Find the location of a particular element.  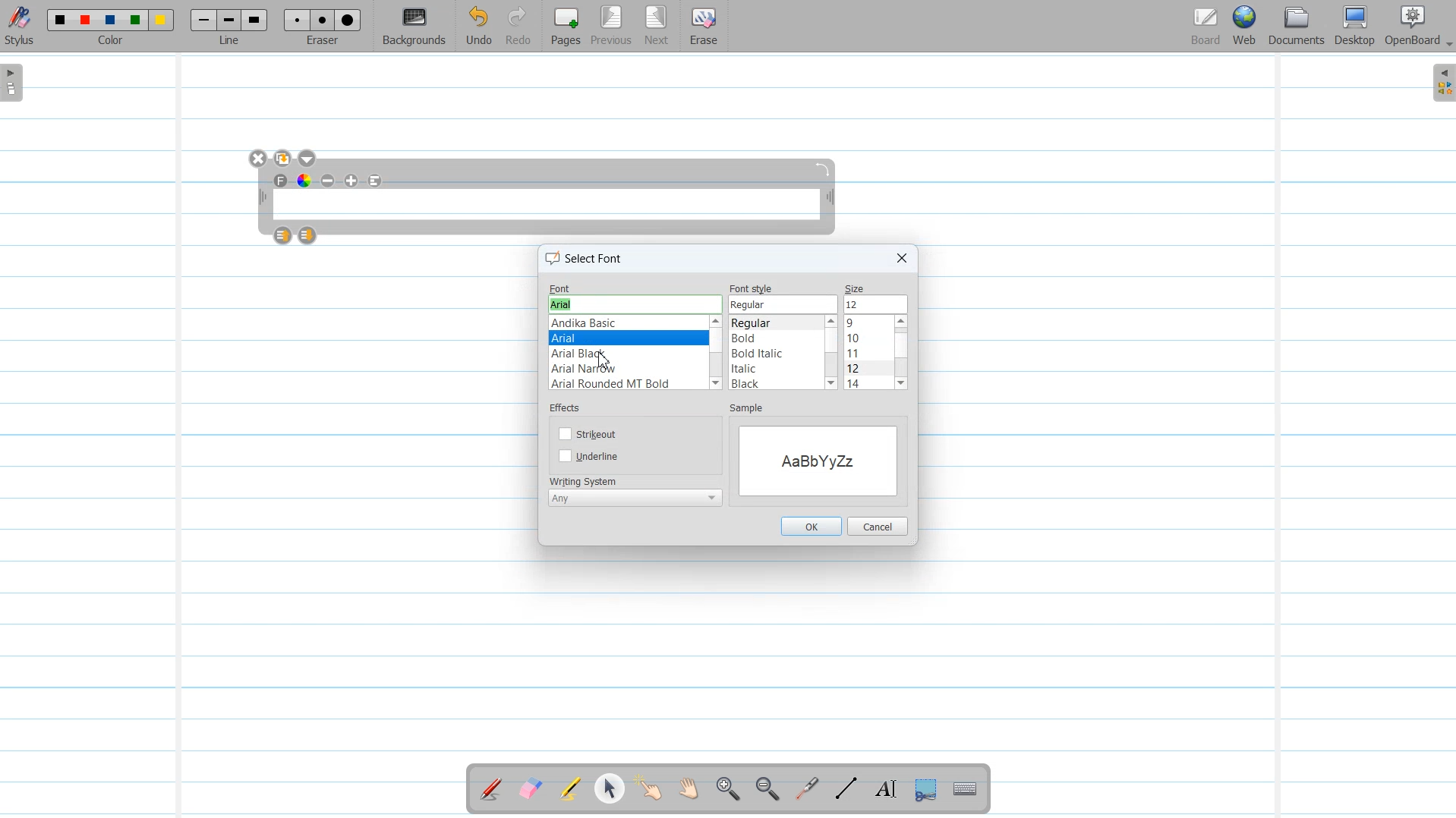

Maximize Text is located at coordinates (352, 181).